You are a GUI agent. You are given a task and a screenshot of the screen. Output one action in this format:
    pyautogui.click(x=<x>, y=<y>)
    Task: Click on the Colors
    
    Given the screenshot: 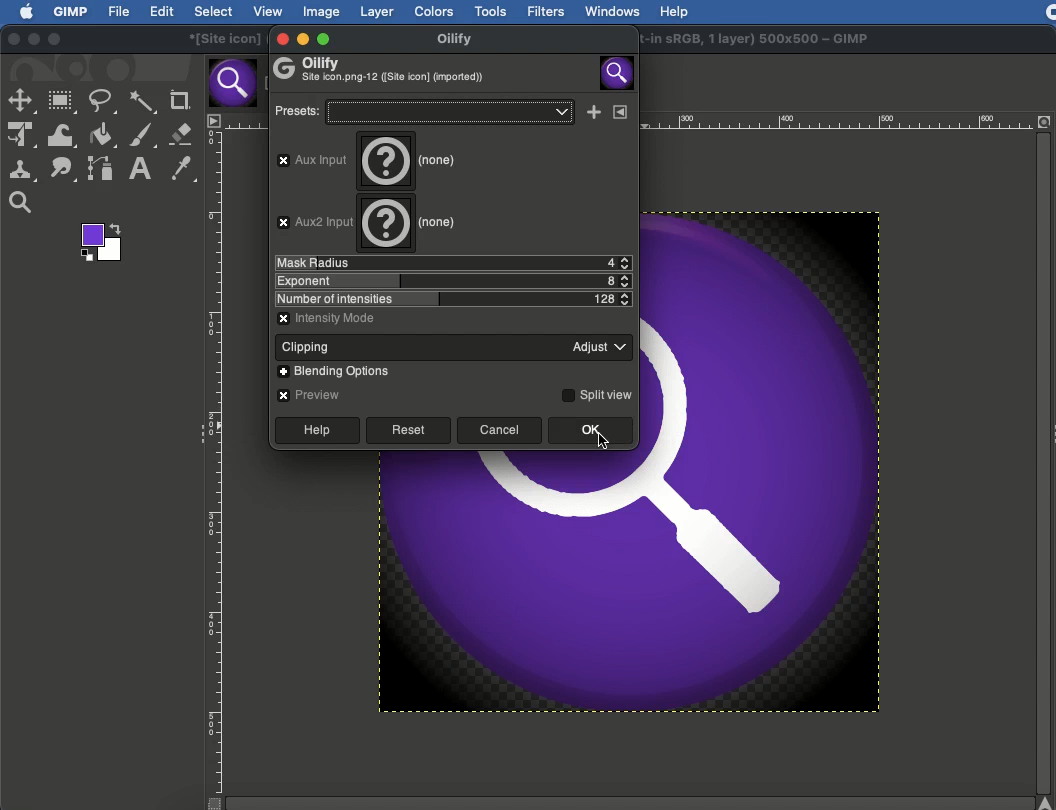 What is the action you would take?
    pyautogui.click(x=436, y=12)
    